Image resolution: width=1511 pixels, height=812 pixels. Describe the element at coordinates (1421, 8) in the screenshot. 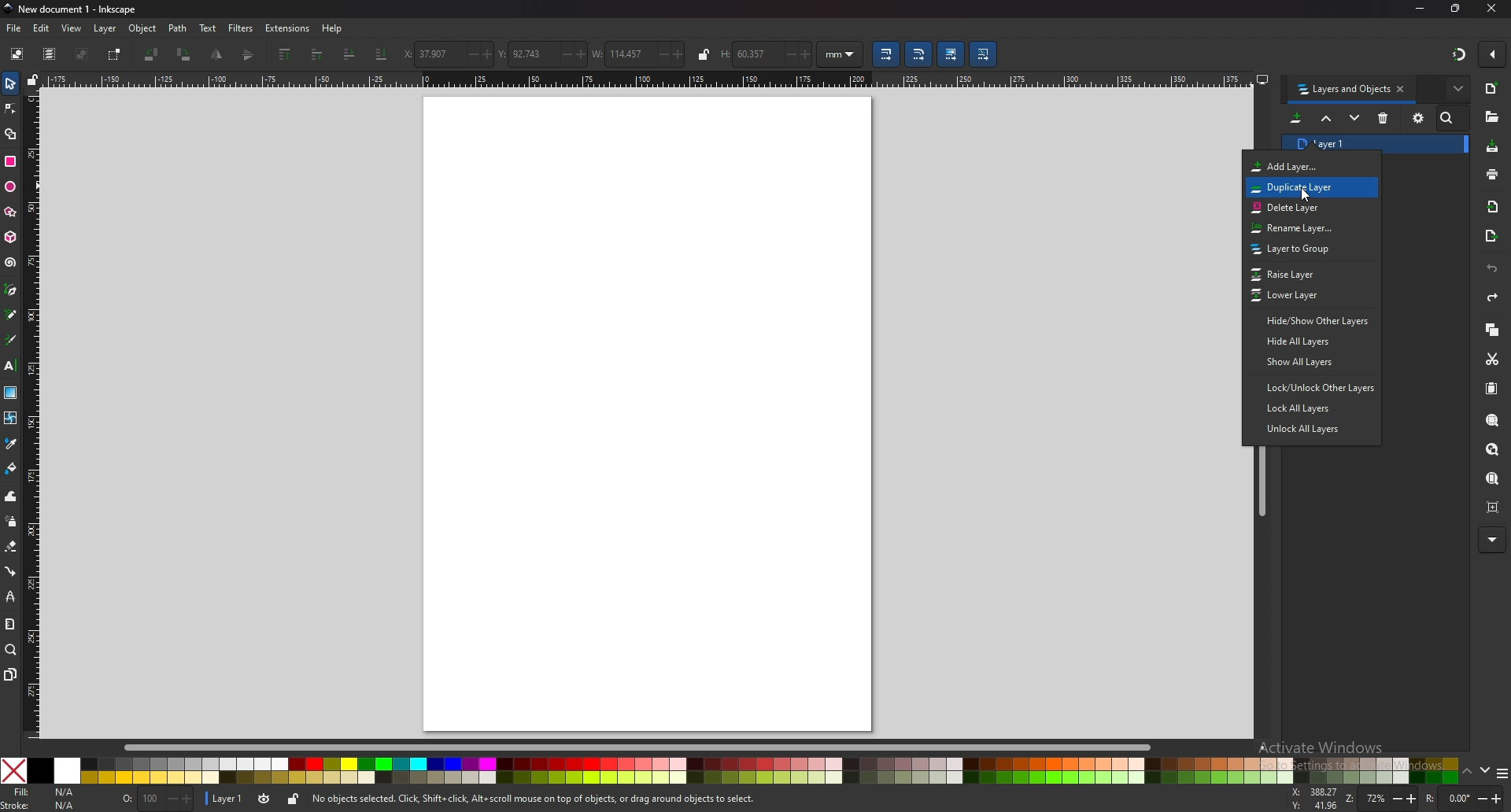

I see `minimize` at that location.